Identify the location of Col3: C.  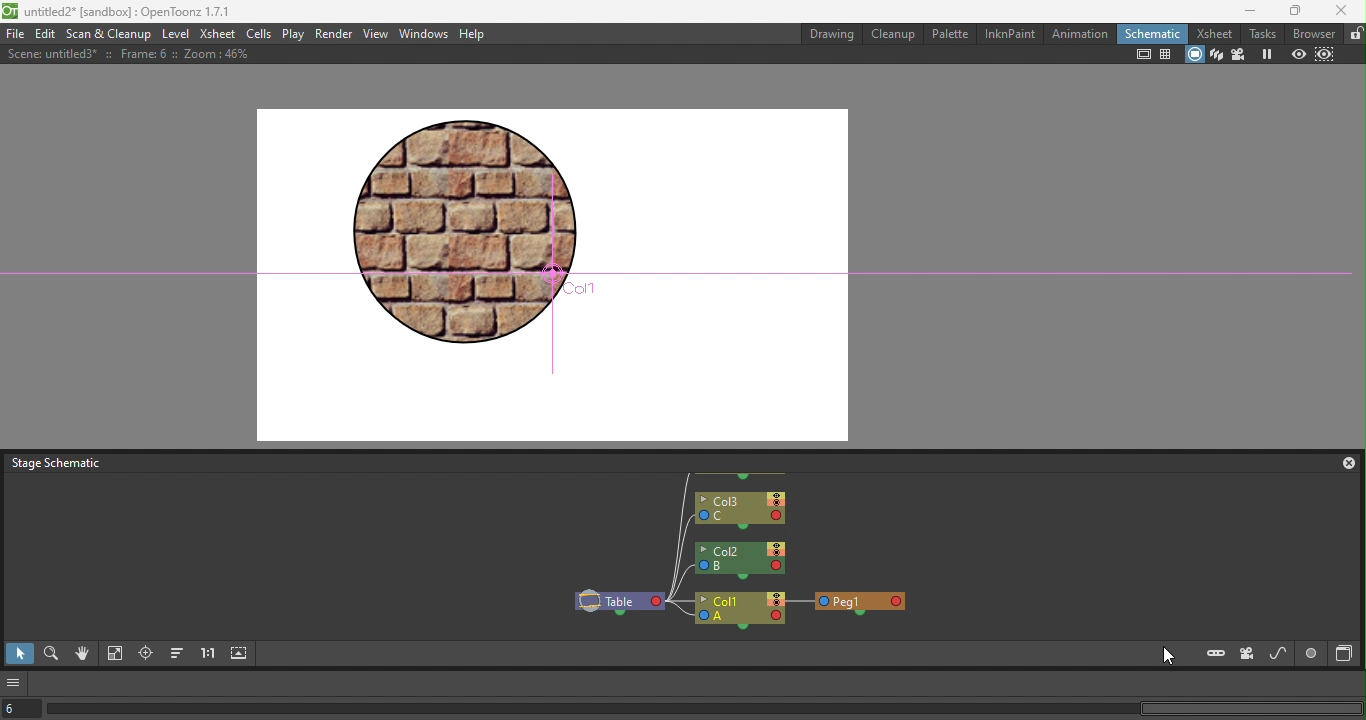
(741, 510).